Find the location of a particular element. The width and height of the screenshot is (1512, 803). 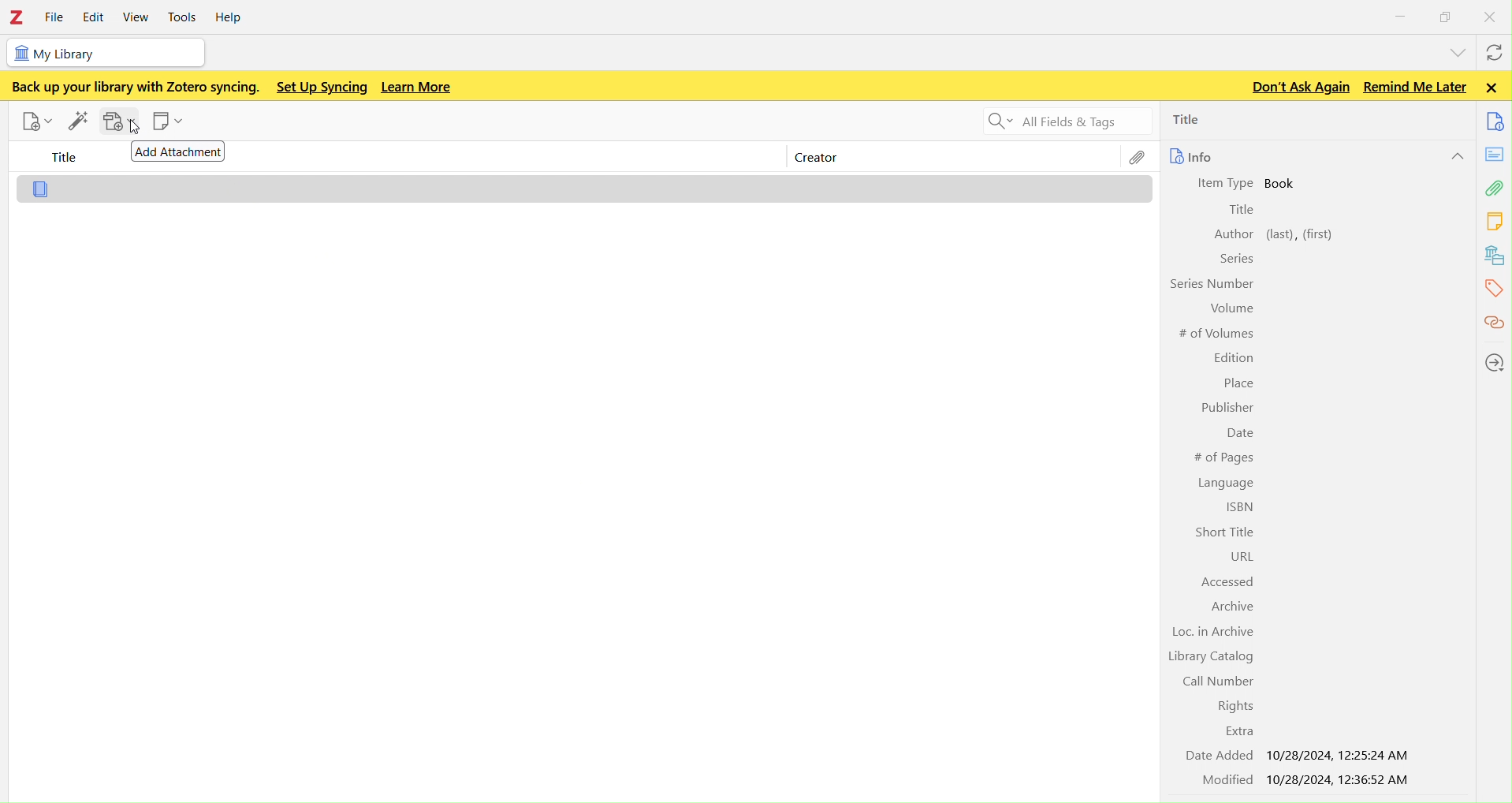

Modified is located at coordinates (1214, 779).